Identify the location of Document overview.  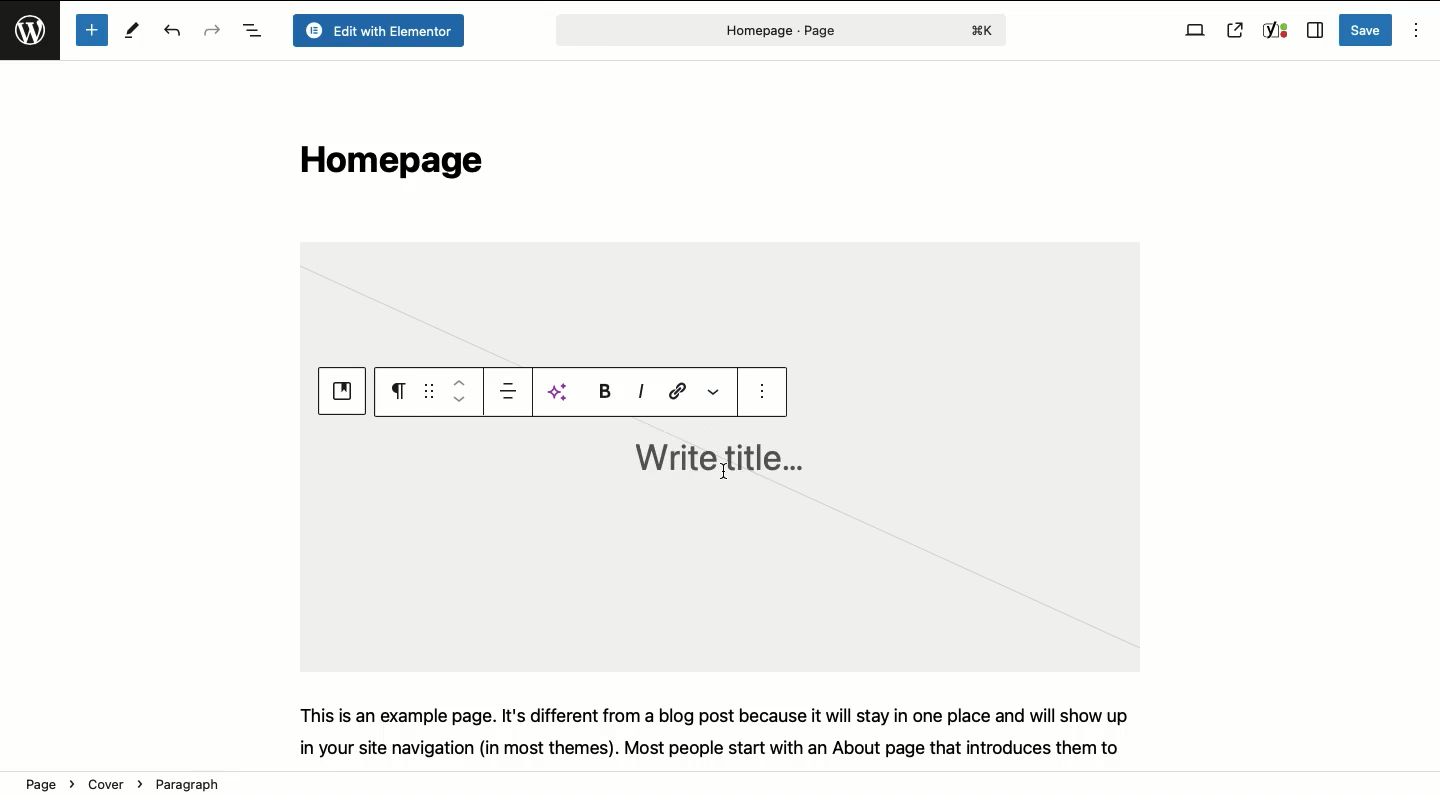
(252, 32).